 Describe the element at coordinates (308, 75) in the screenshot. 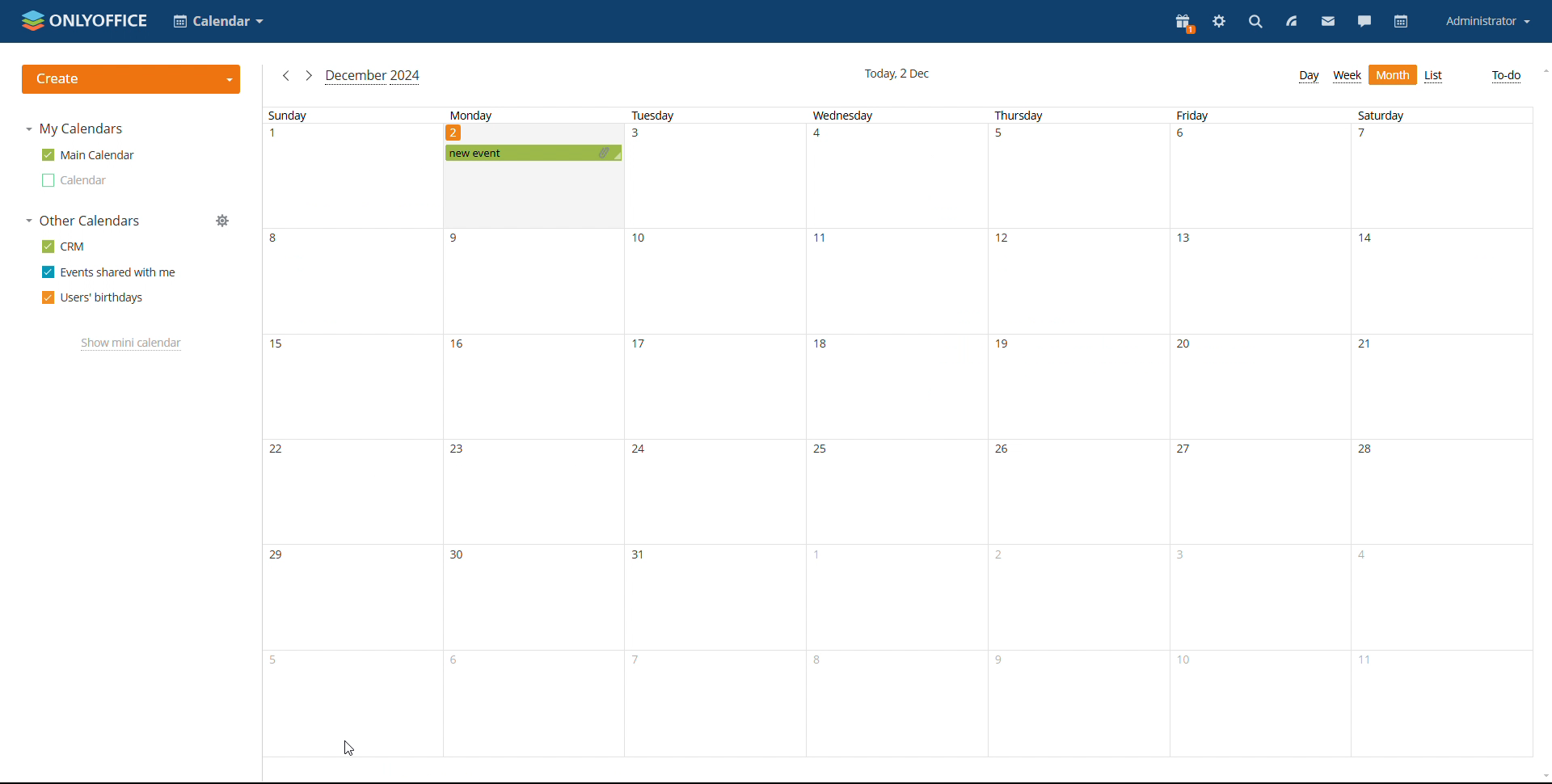

I see `next month` at that location.